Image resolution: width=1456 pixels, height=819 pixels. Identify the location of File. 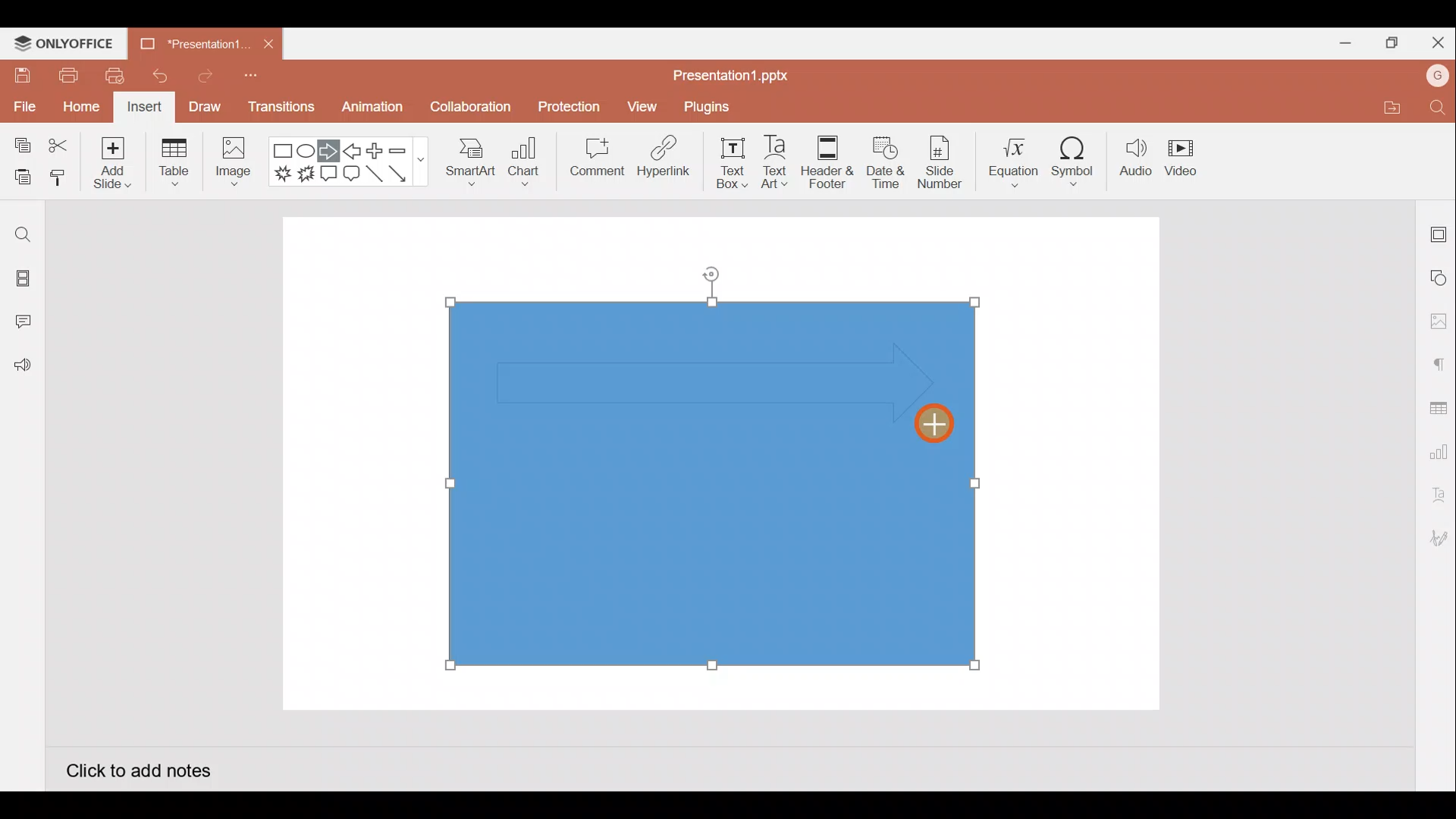
(23, 104).